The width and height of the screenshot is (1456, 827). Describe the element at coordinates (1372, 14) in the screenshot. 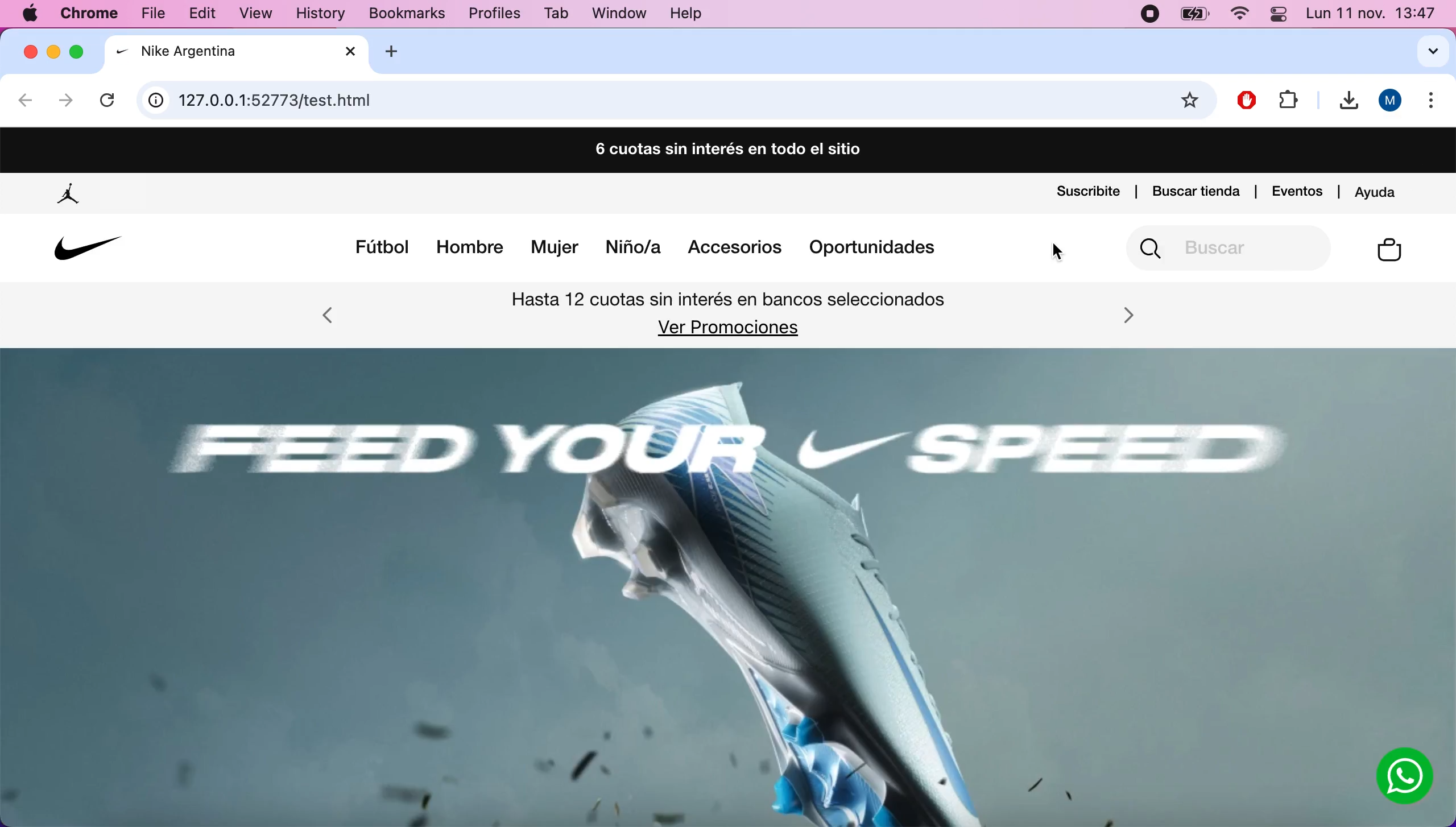

I see `time and date` at that location.